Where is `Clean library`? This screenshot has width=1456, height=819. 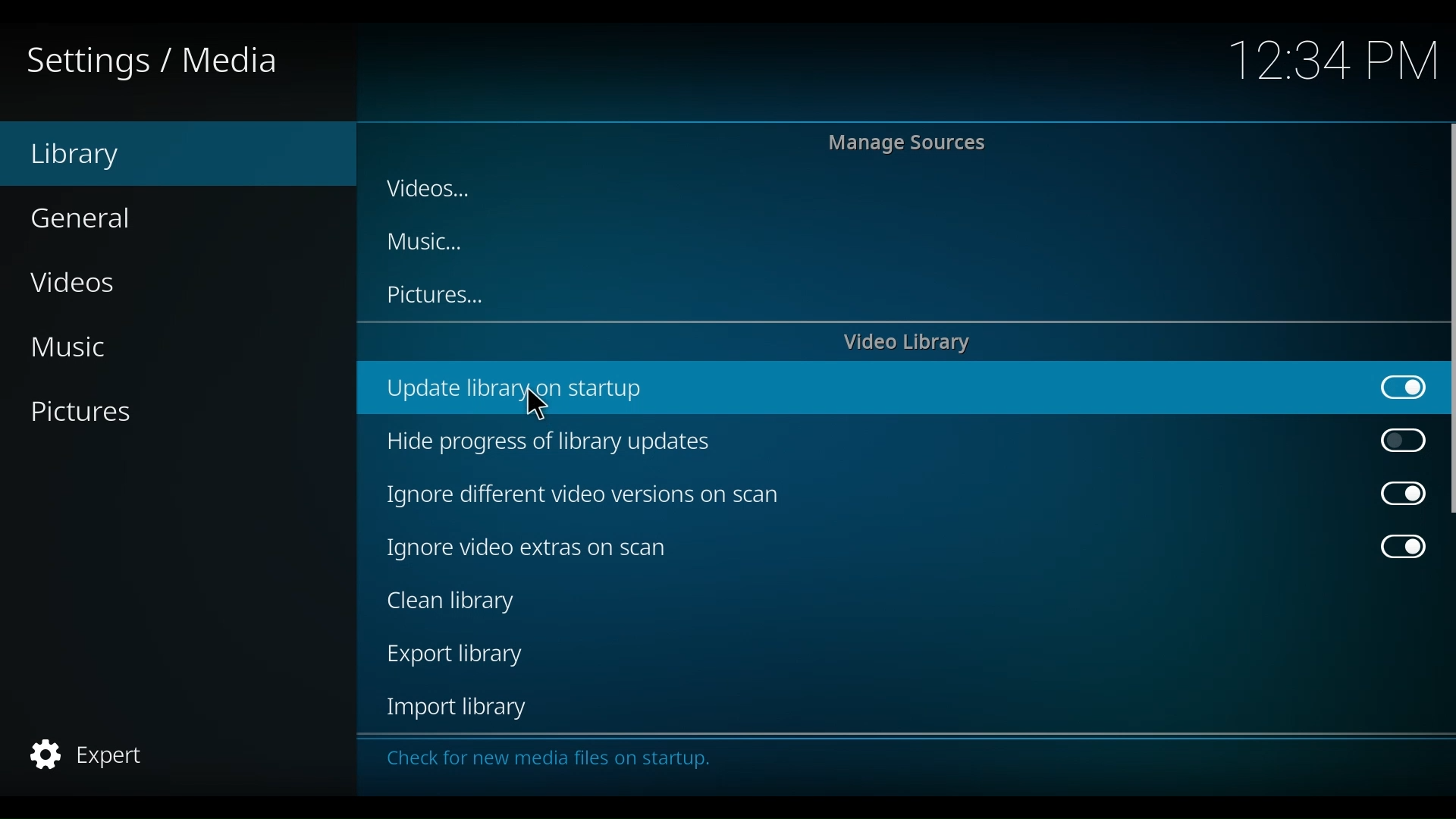 Clean library is located at coordinates (460, 604).